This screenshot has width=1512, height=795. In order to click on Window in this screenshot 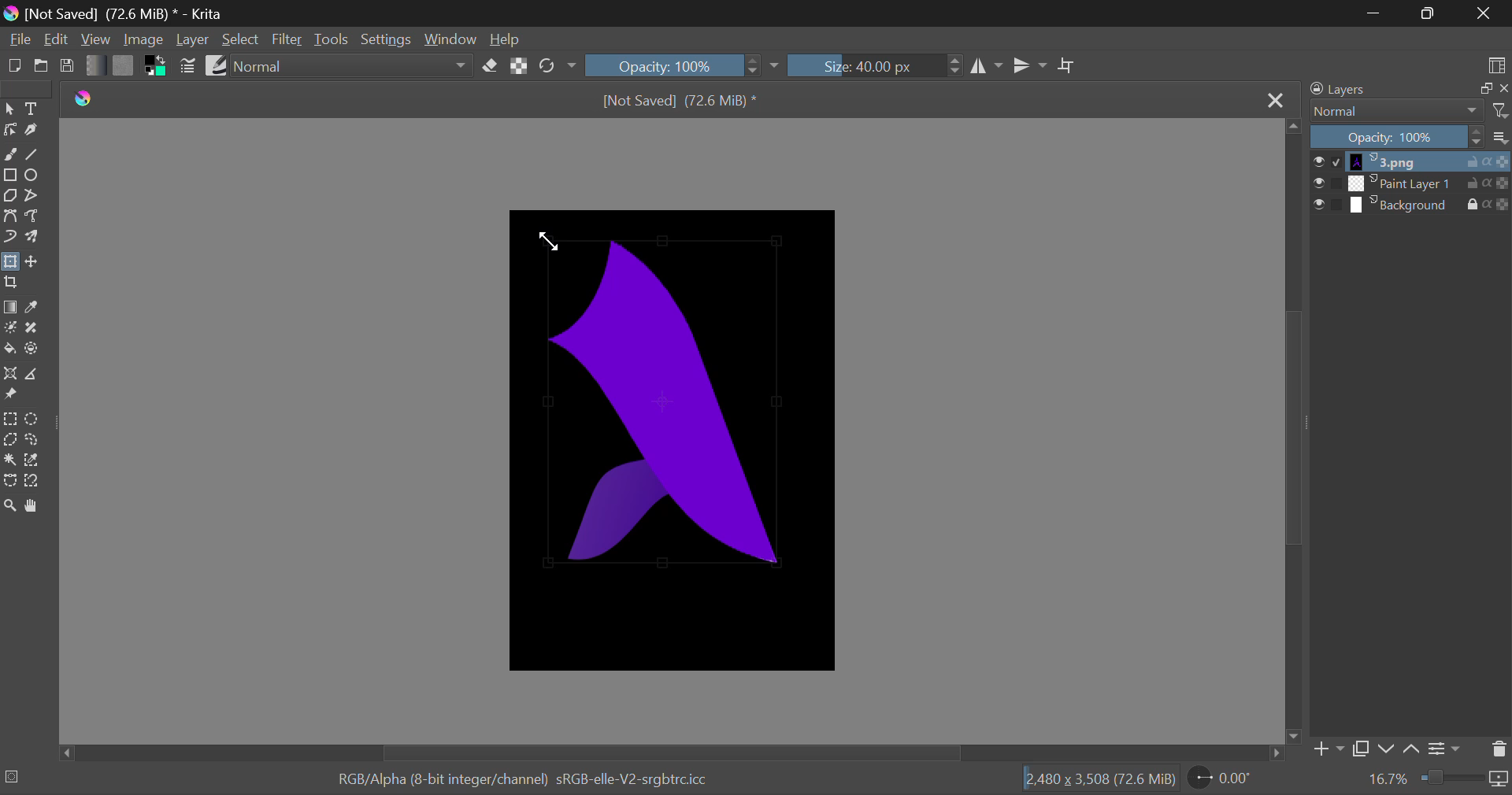, I will do `click(448, 39)`.